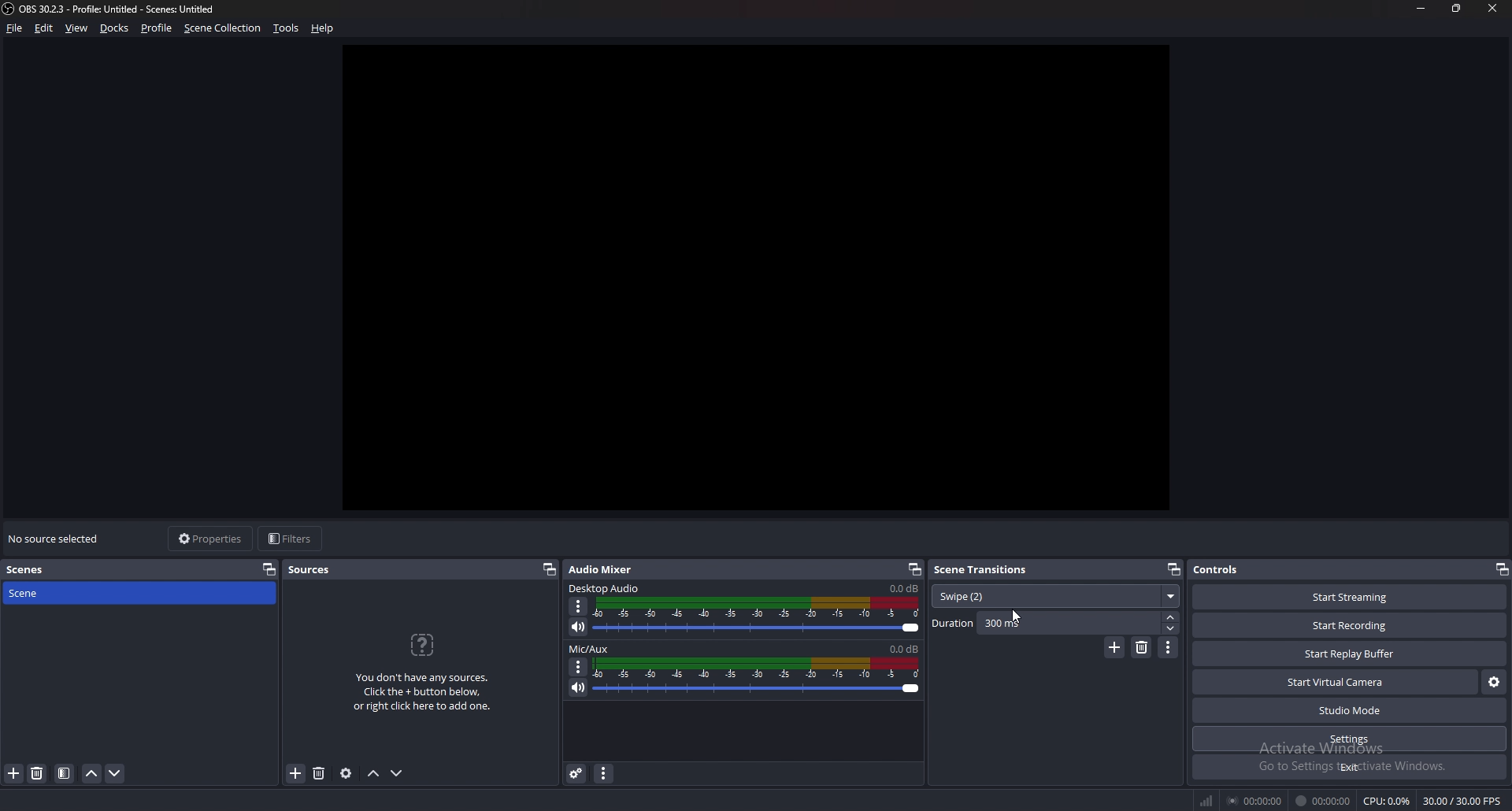  I want to click on volume level, so click(904, 589).